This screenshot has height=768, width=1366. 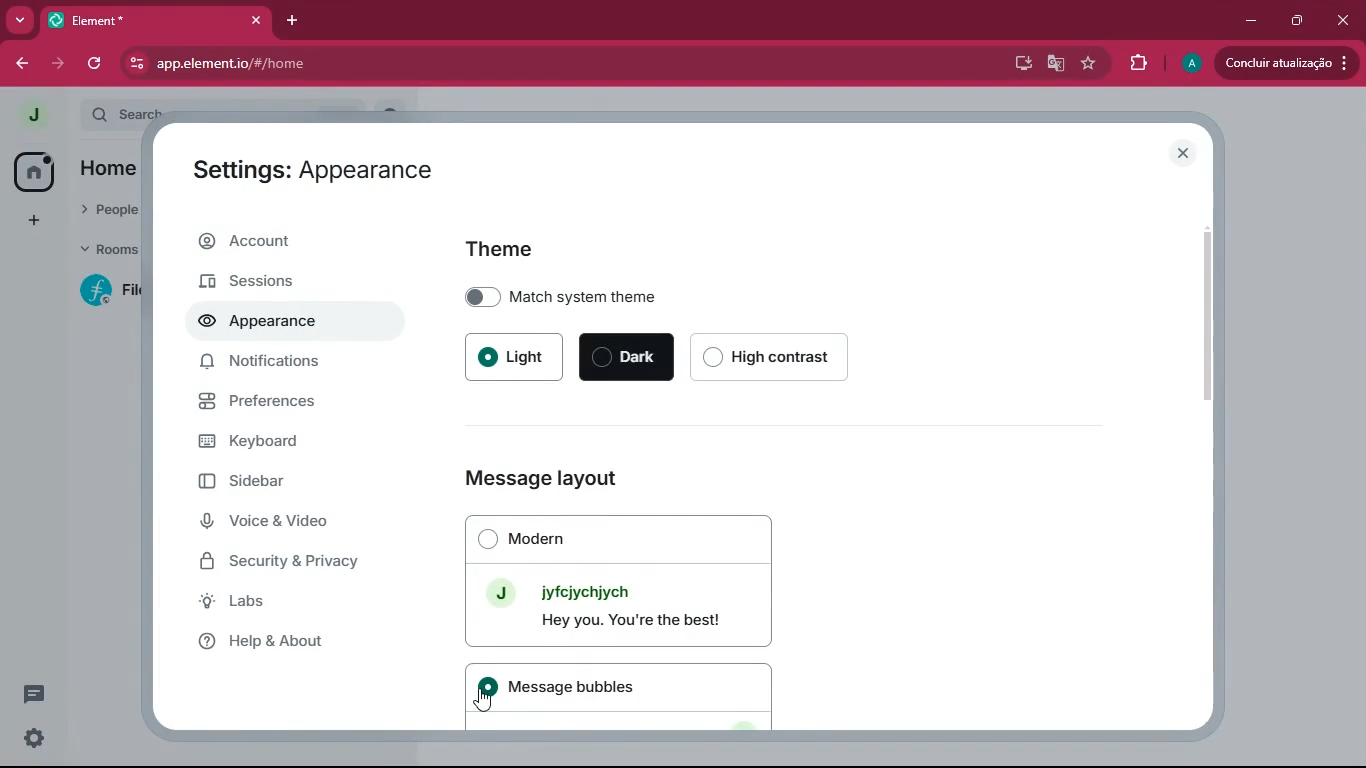 I want to click on Modern, so click(x=538, y=539).